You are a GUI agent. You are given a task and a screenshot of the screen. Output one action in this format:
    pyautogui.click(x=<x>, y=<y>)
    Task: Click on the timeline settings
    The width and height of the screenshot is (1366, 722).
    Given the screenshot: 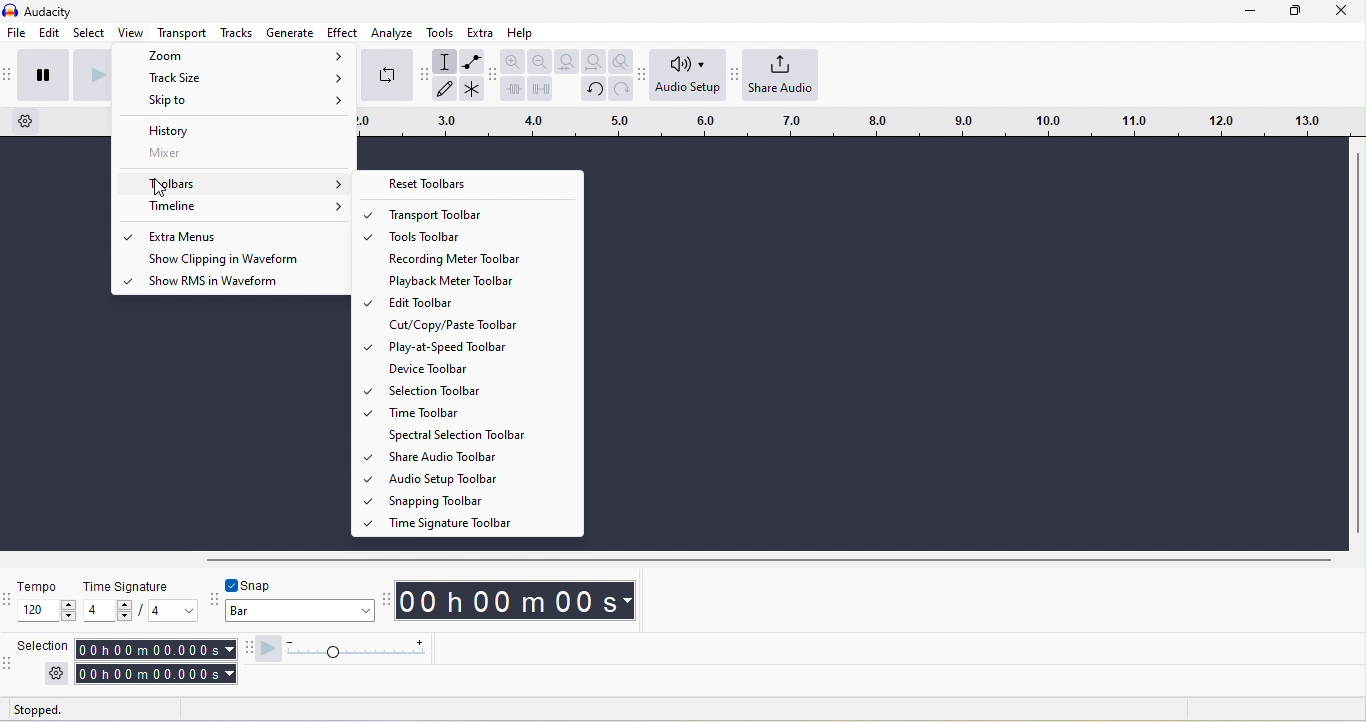 What is the action you would take?
    pyautogui.click(x=26, y=121)
    